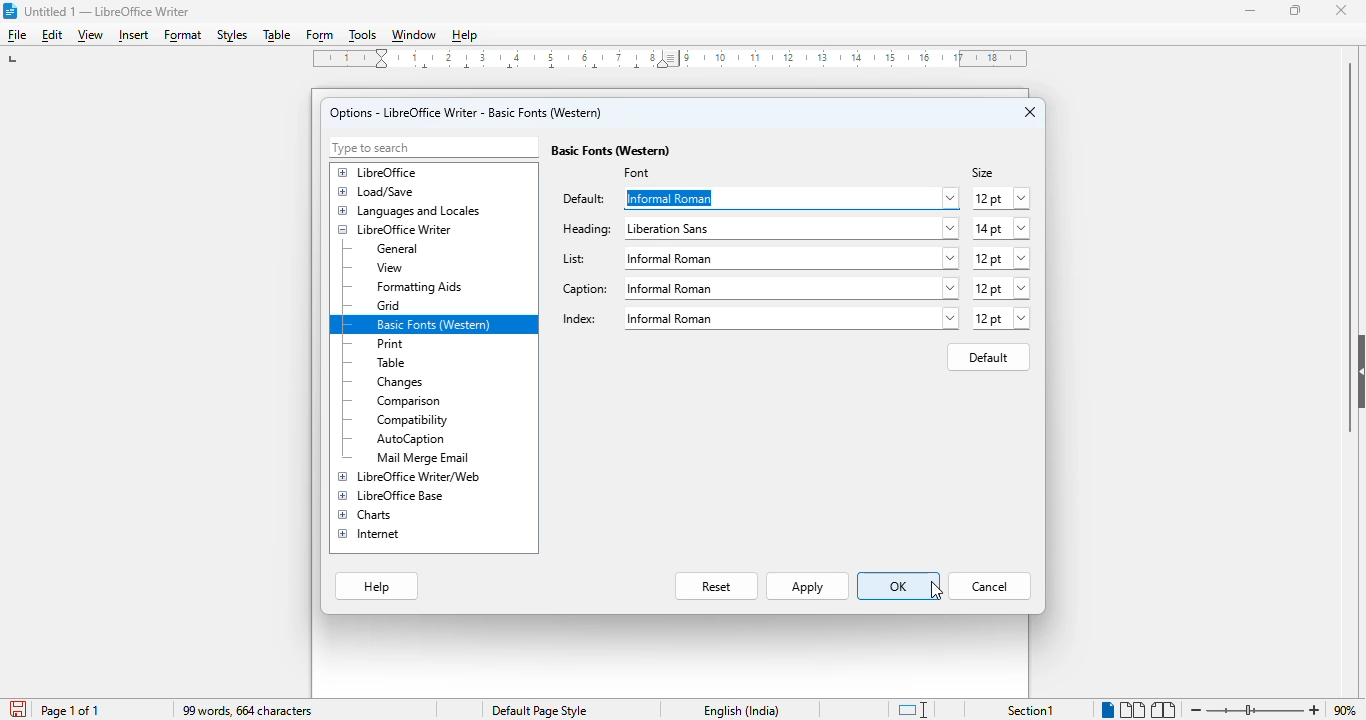  What do you see at coordinates (555, 72) in the screenshot?
I see `center tab` at bounding box center [555, 72].